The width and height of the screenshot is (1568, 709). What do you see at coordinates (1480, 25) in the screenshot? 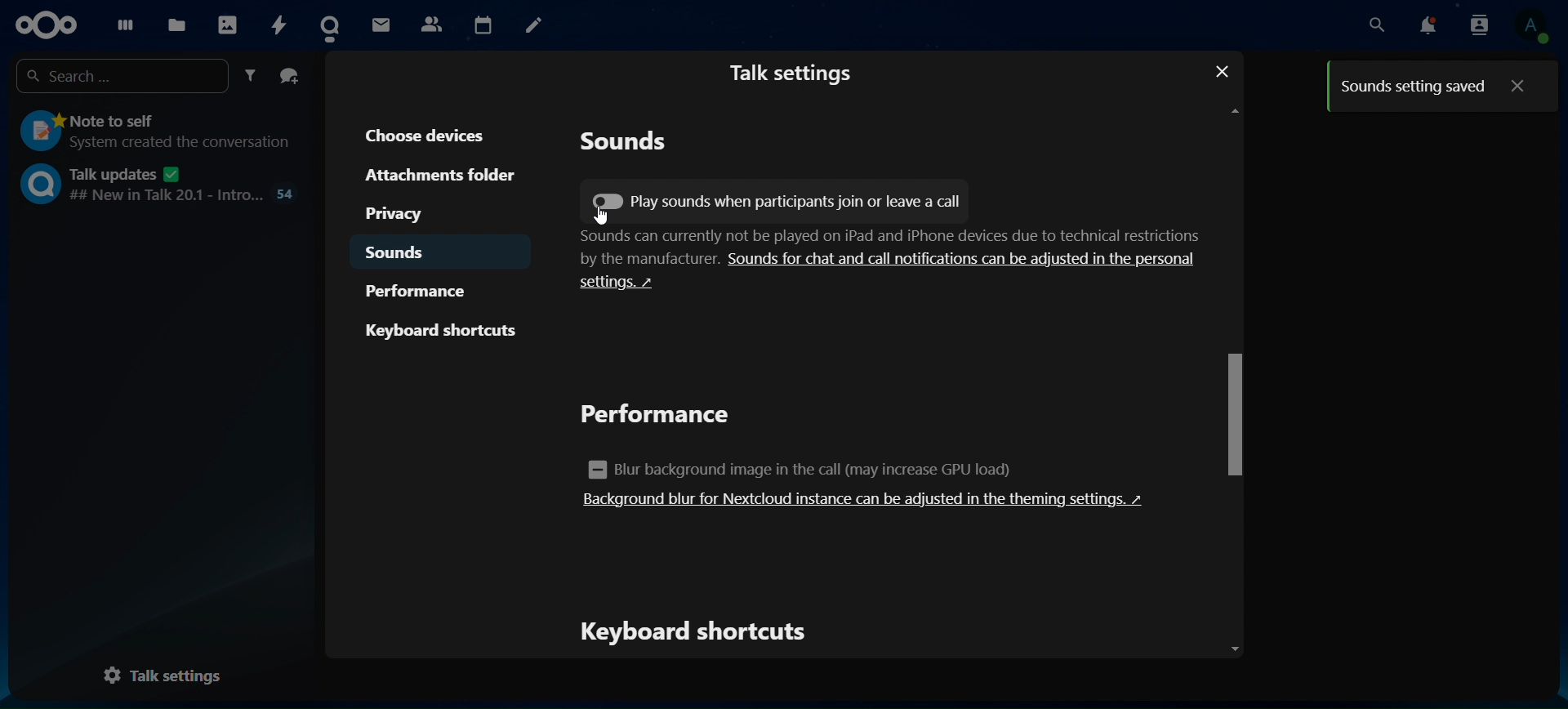
I see `search contact` at bounding box center [1480, 25].